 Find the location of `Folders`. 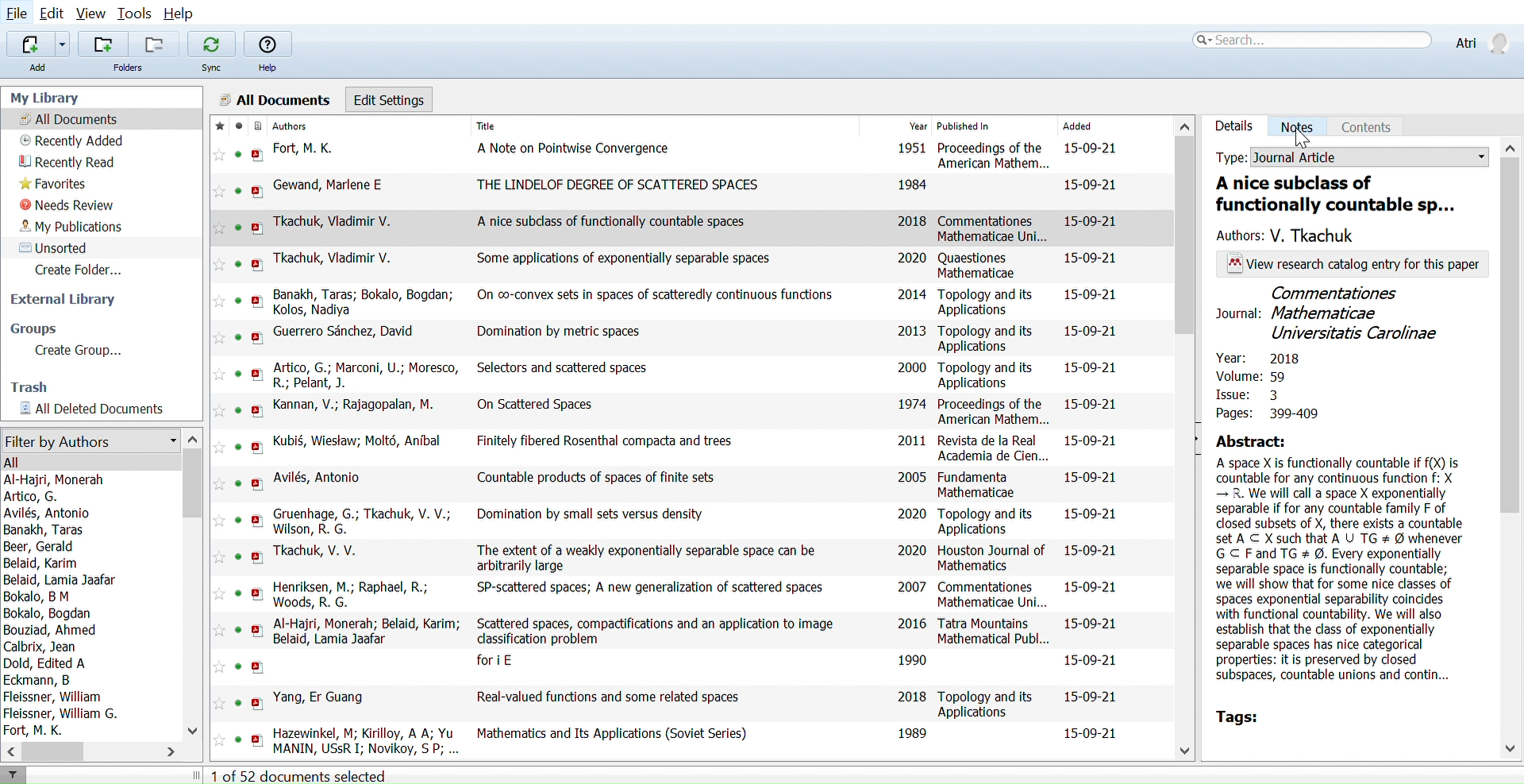

Folders is located at coordinates (130, 67).